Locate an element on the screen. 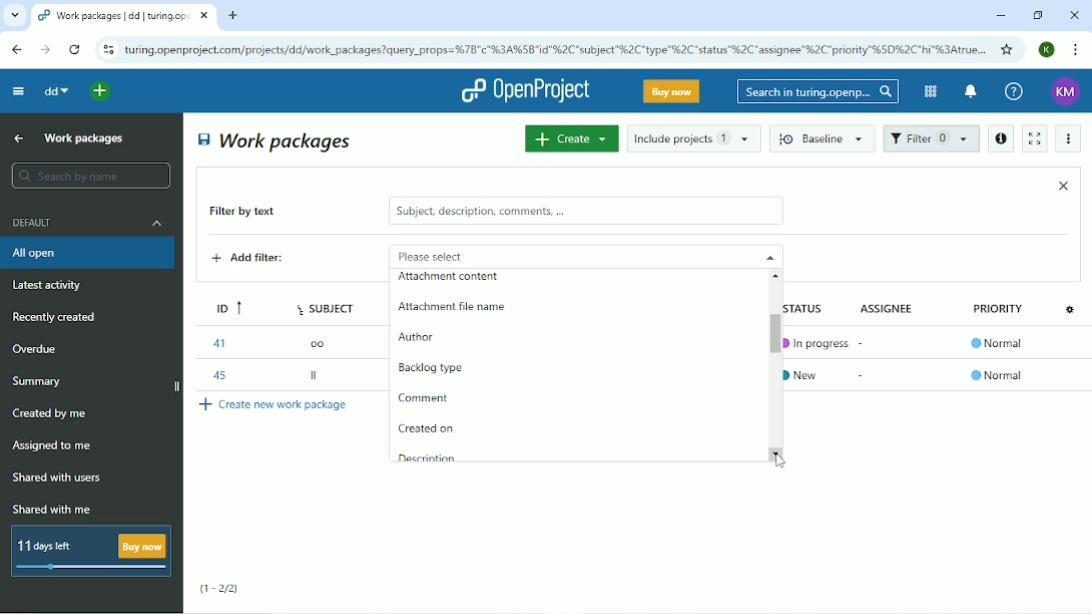 The width and height of the screenshot is (1092, 614). In progress is located at coordinates (816, 343).